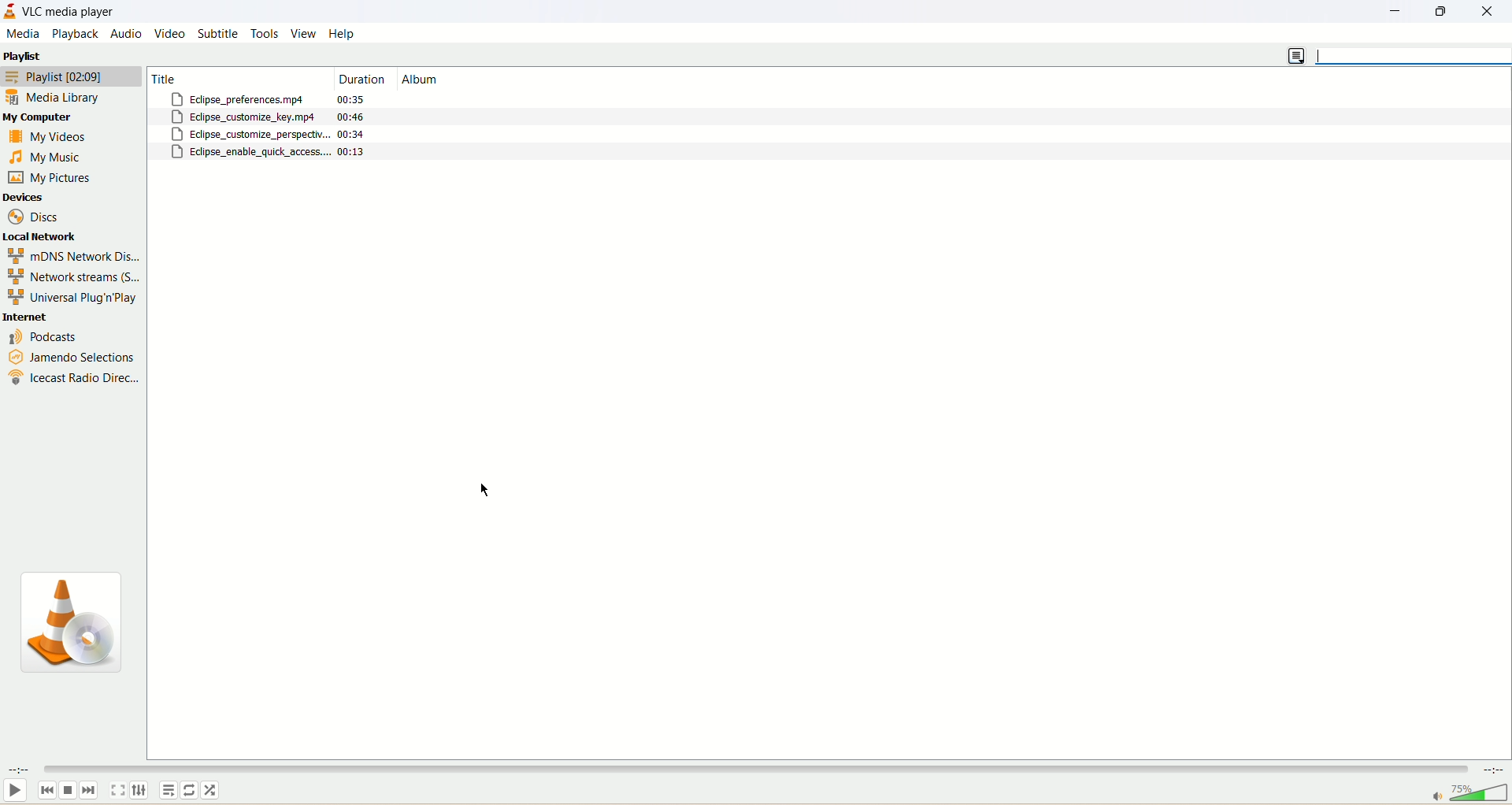  I want to click on mDNS newtork, so click(72, 255).